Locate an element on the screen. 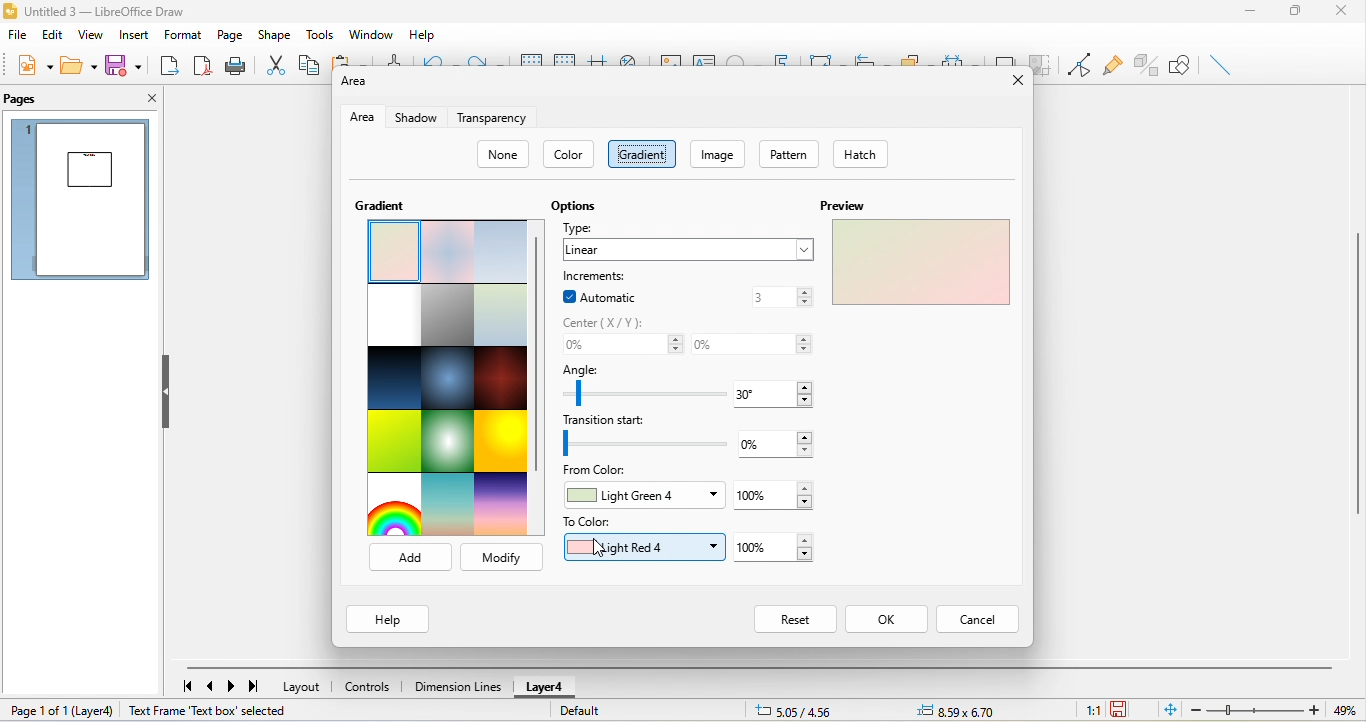 The image size is (1366, 722). display to grids is located at coordinates (532, 57).